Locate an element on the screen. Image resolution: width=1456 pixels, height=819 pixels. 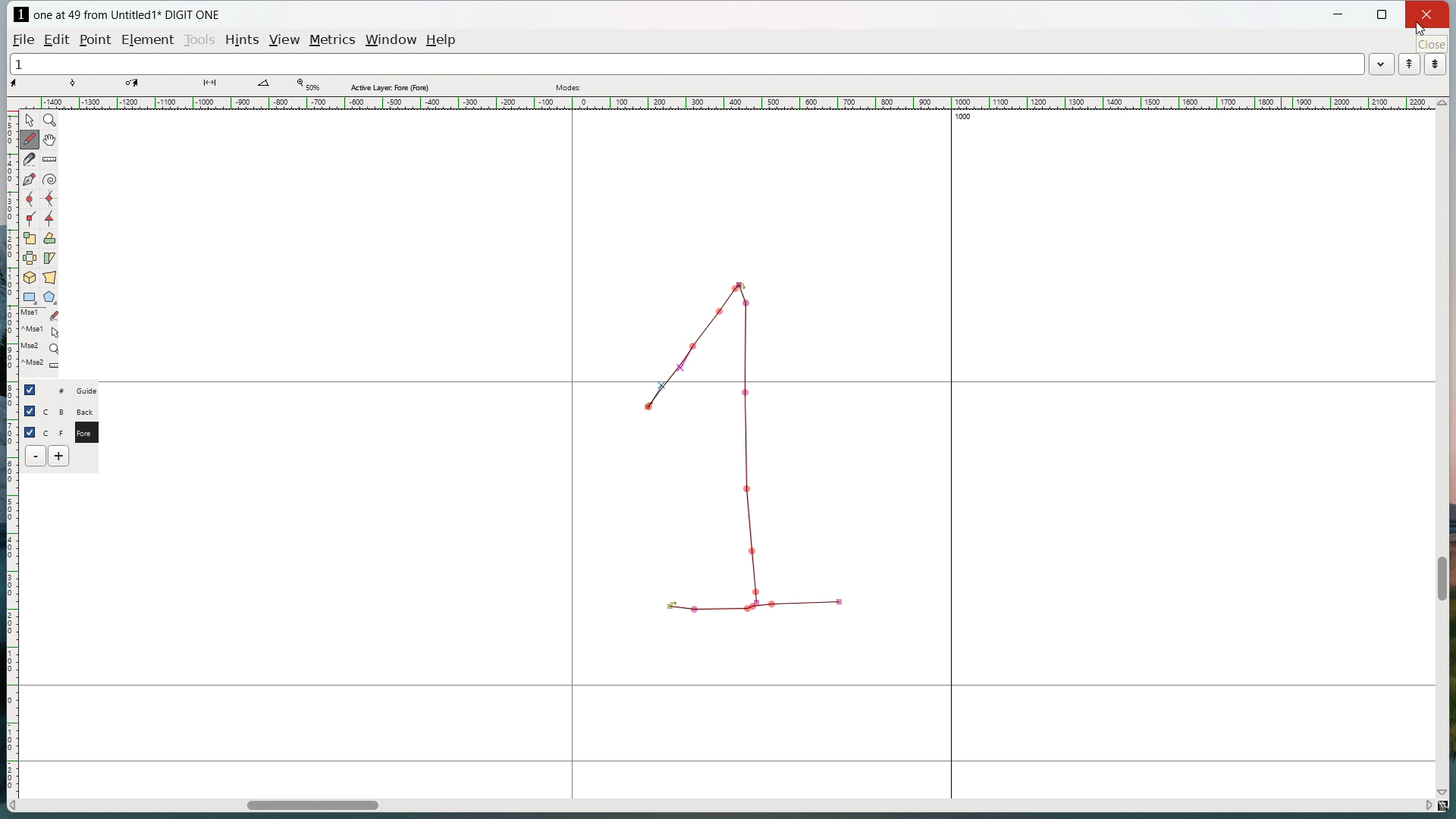
perspective transformation is located at coordinates (49, 277).